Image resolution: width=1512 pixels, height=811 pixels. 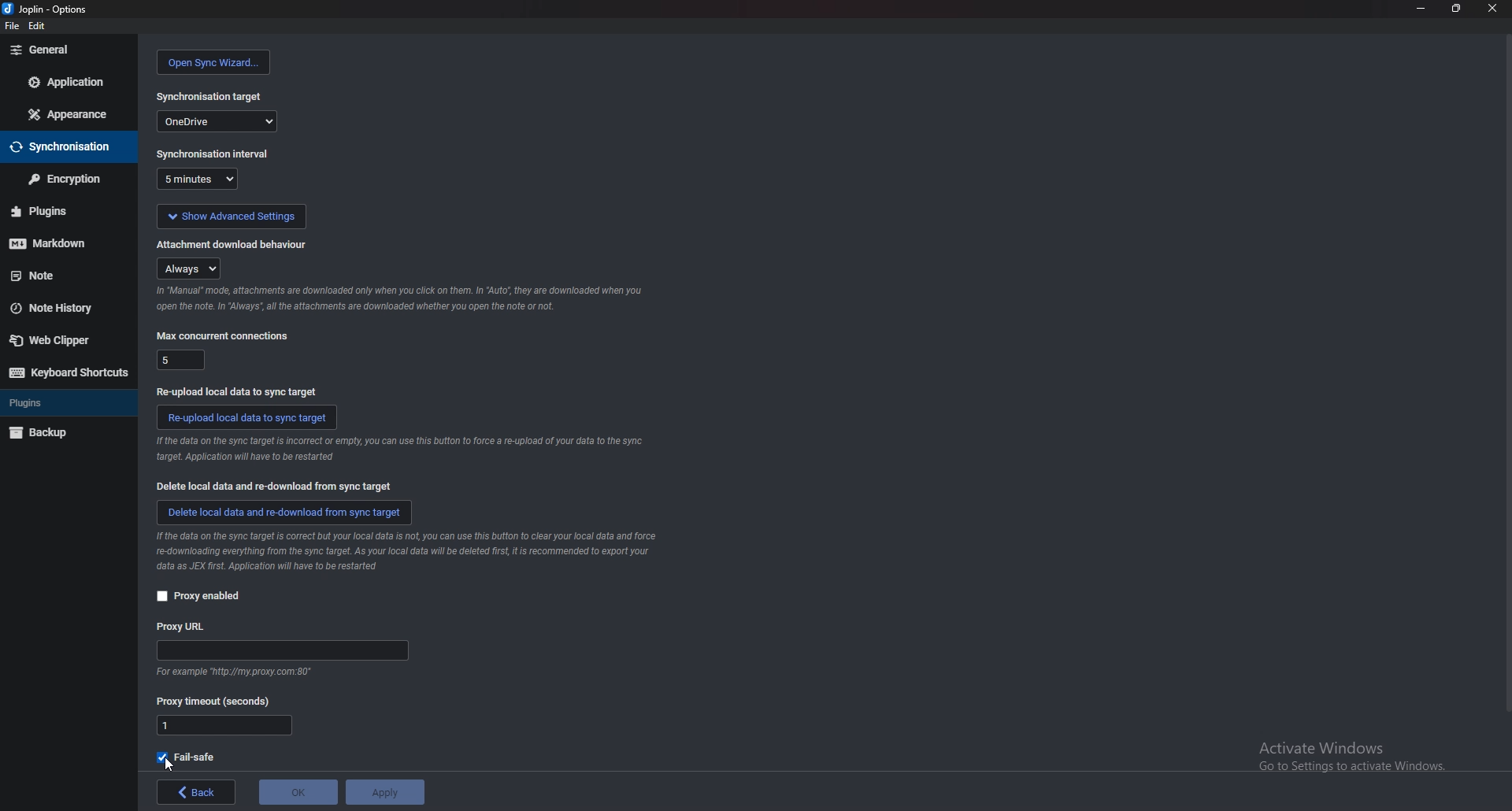 What do you see at coordinates (63, 340) in the screenshot?
I see `web clipper` at bounding box center [63, 340].